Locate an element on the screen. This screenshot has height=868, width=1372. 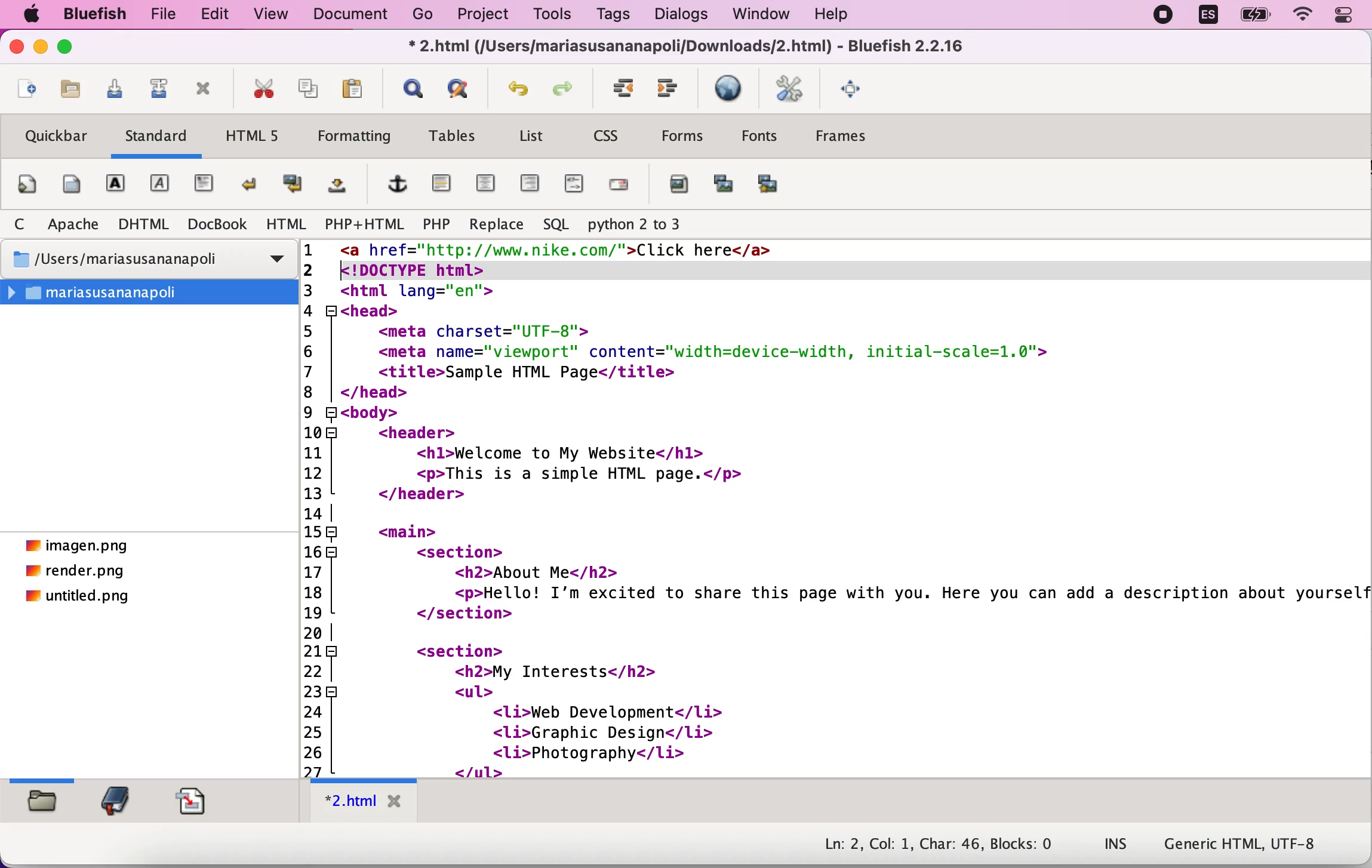
paragraph is located at coordinates (205, 186).